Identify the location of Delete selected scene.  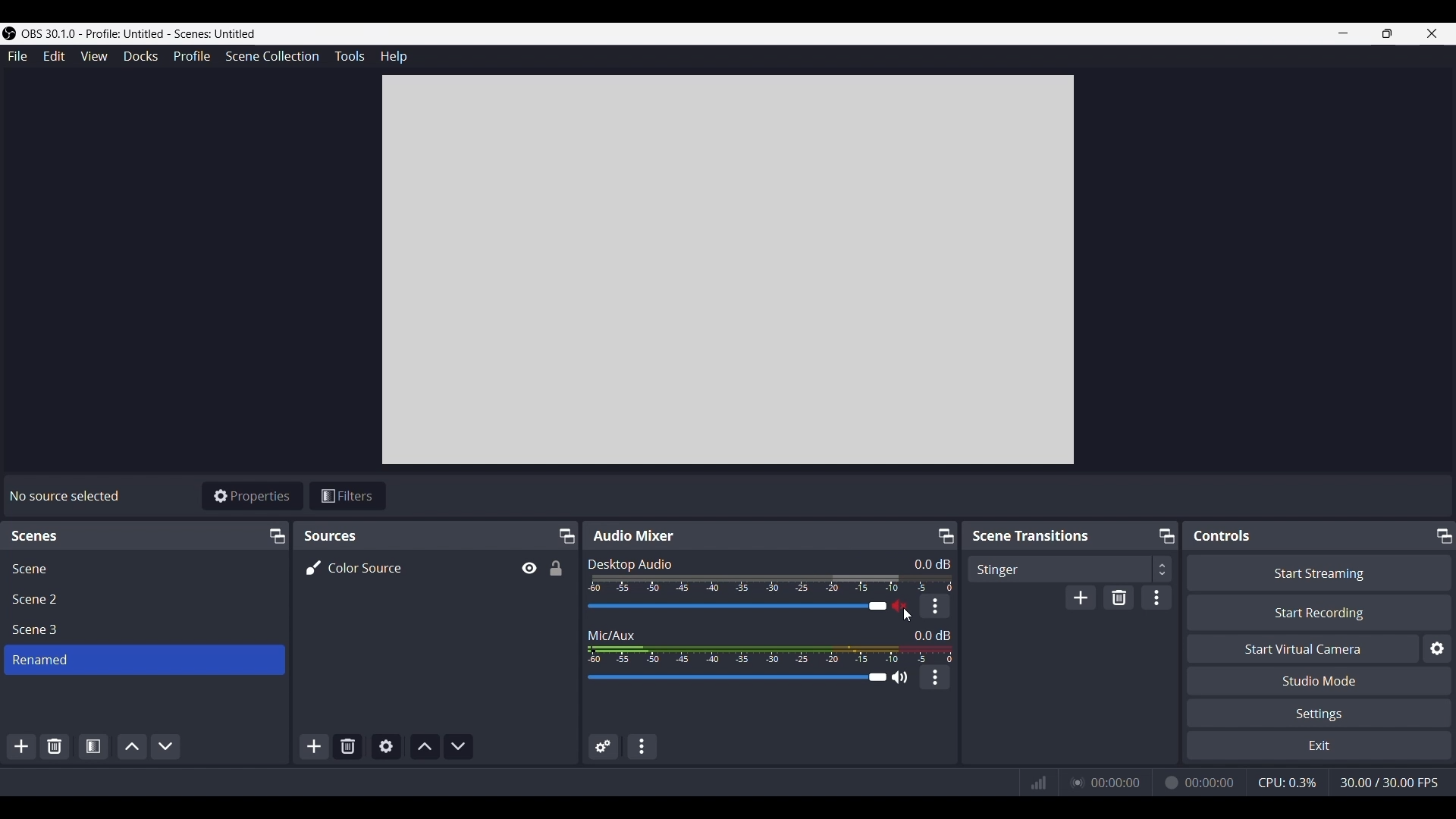
(55, 748).